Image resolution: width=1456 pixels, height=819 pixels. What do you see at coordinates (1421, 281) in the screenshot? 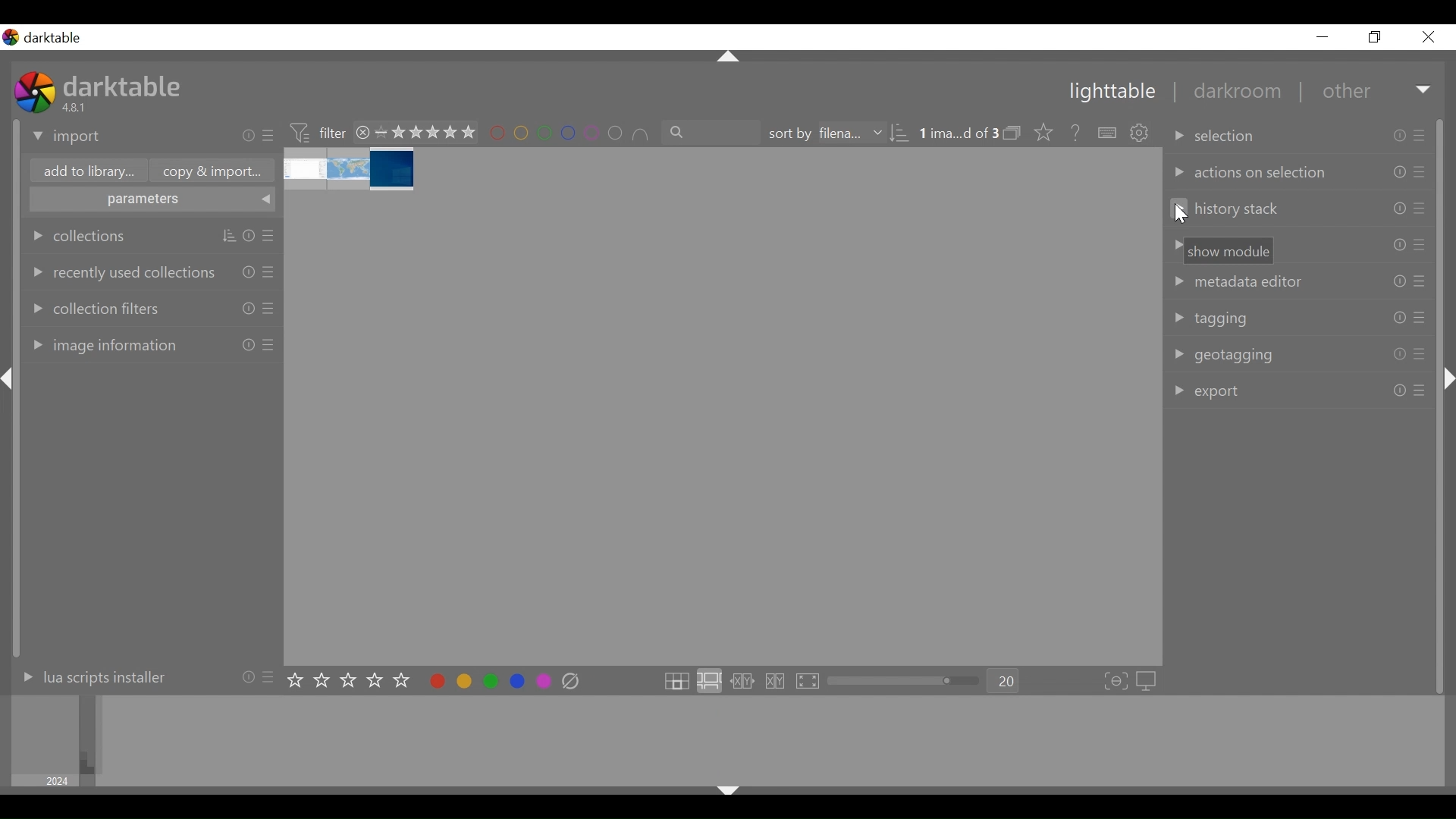
I see `presets` at bounding box center [1421, 281].